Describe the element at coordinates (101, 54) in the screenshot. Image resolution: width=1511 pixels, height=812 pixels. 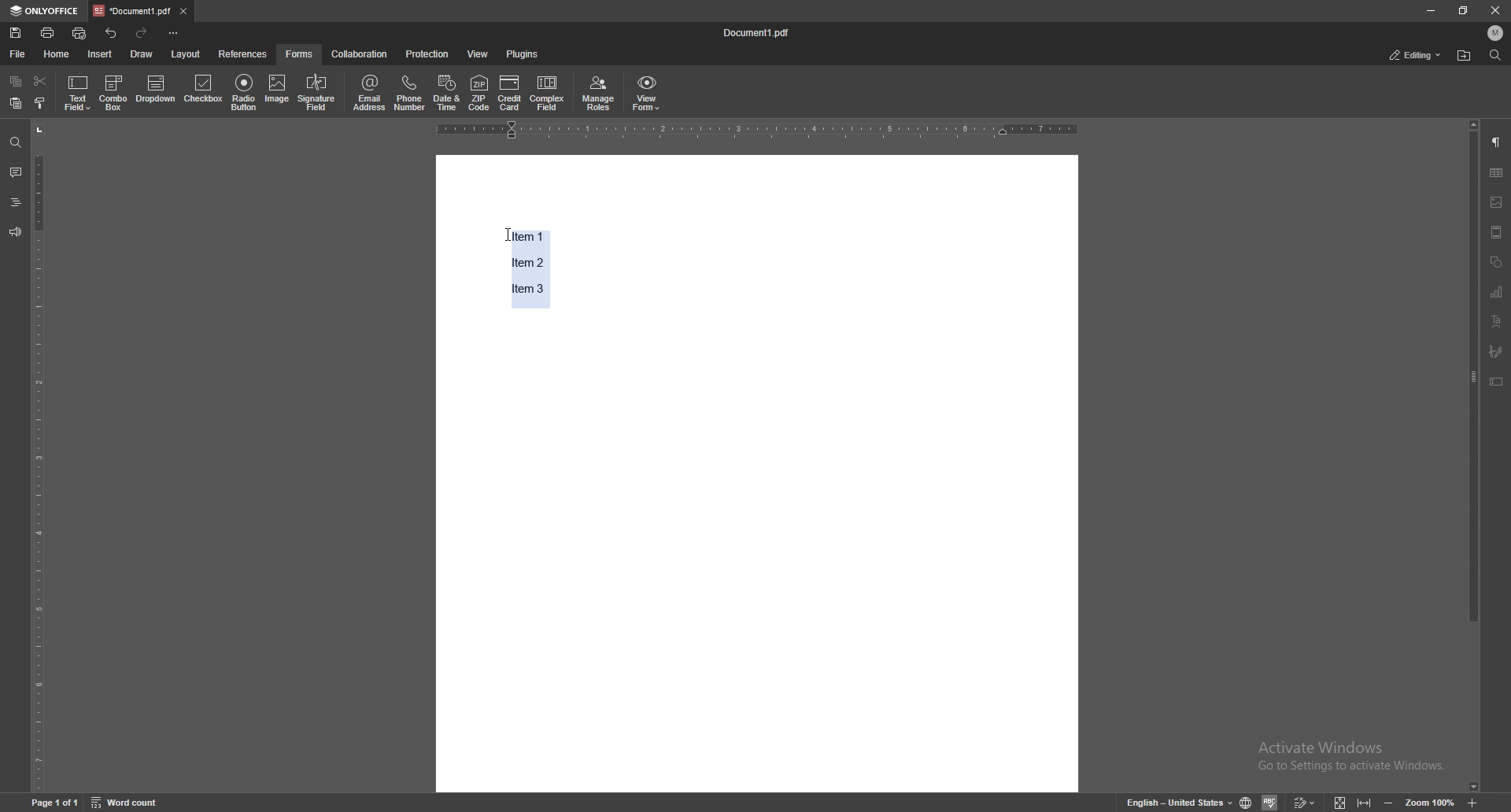
I see `insert` at that location.